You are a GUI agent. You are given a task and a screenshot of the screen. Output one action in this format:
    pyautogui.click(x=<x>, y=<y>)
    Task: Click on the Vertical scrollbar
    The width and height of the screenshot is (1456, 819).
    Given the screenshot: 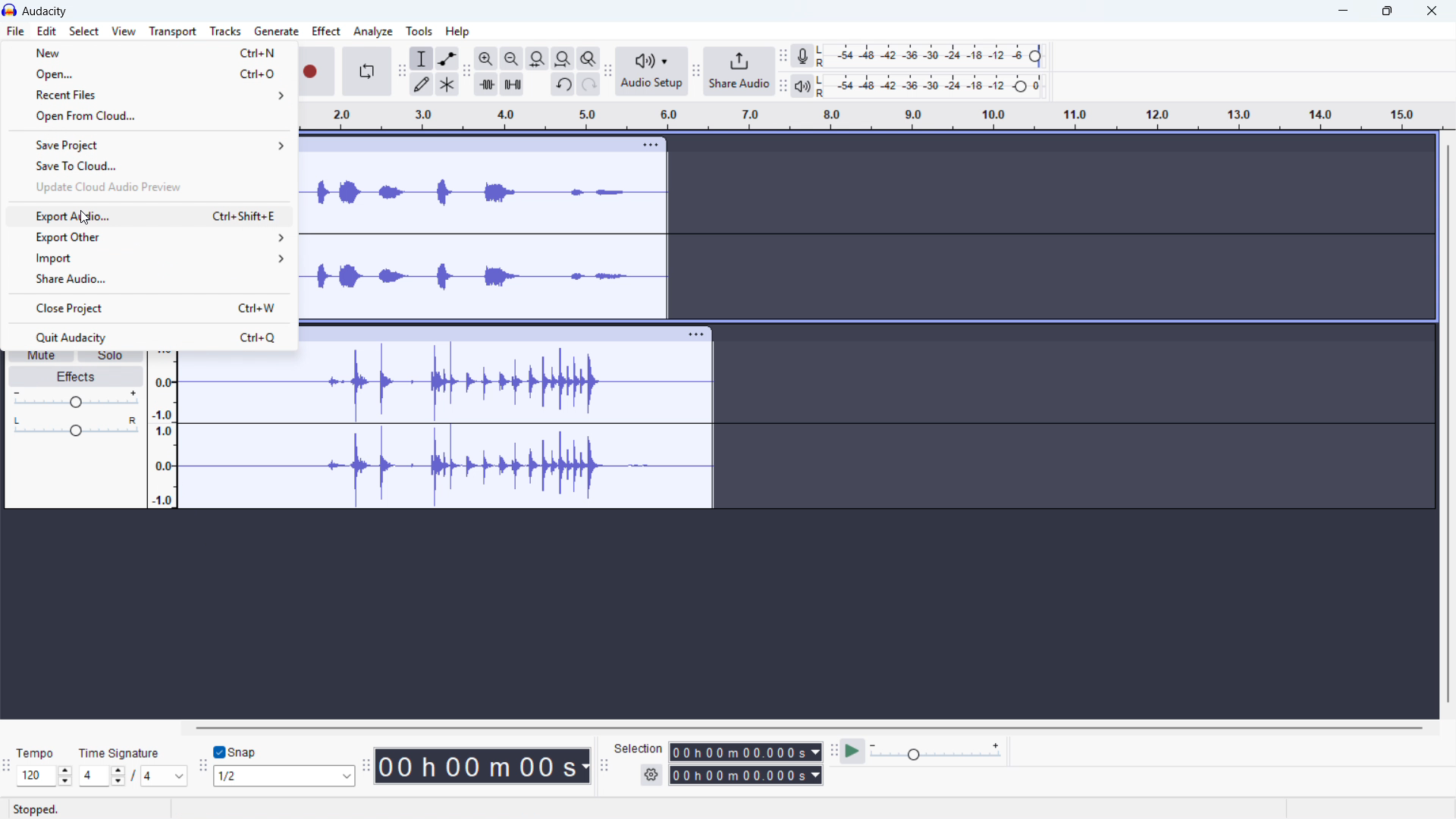 What is the action you would take?
    pyautogui.click(x=1448, y=424)
    